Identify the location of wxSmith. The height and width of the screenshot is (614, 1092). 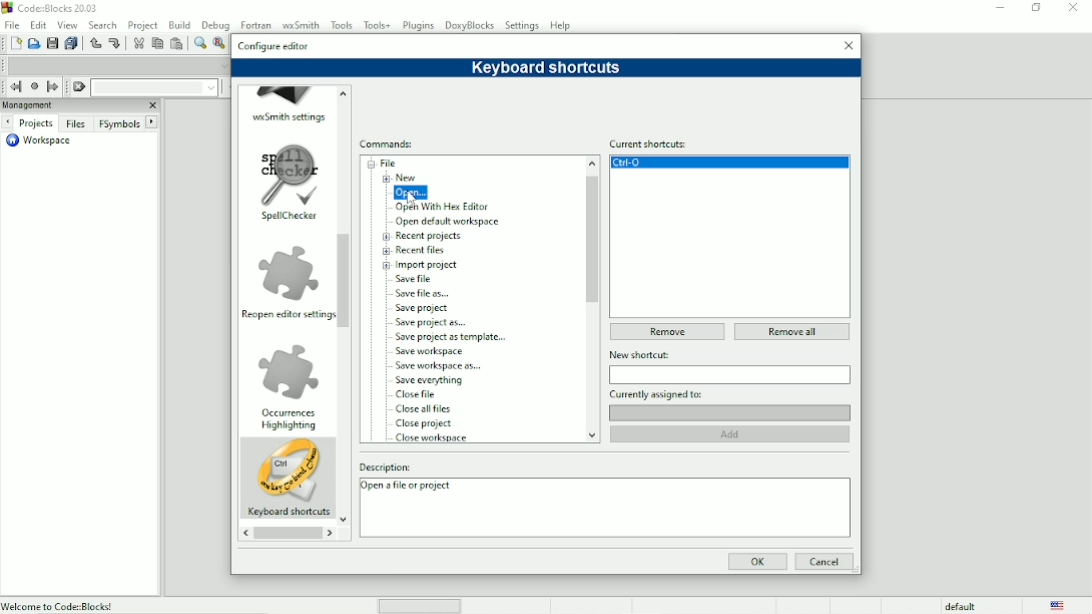
(299, 23).